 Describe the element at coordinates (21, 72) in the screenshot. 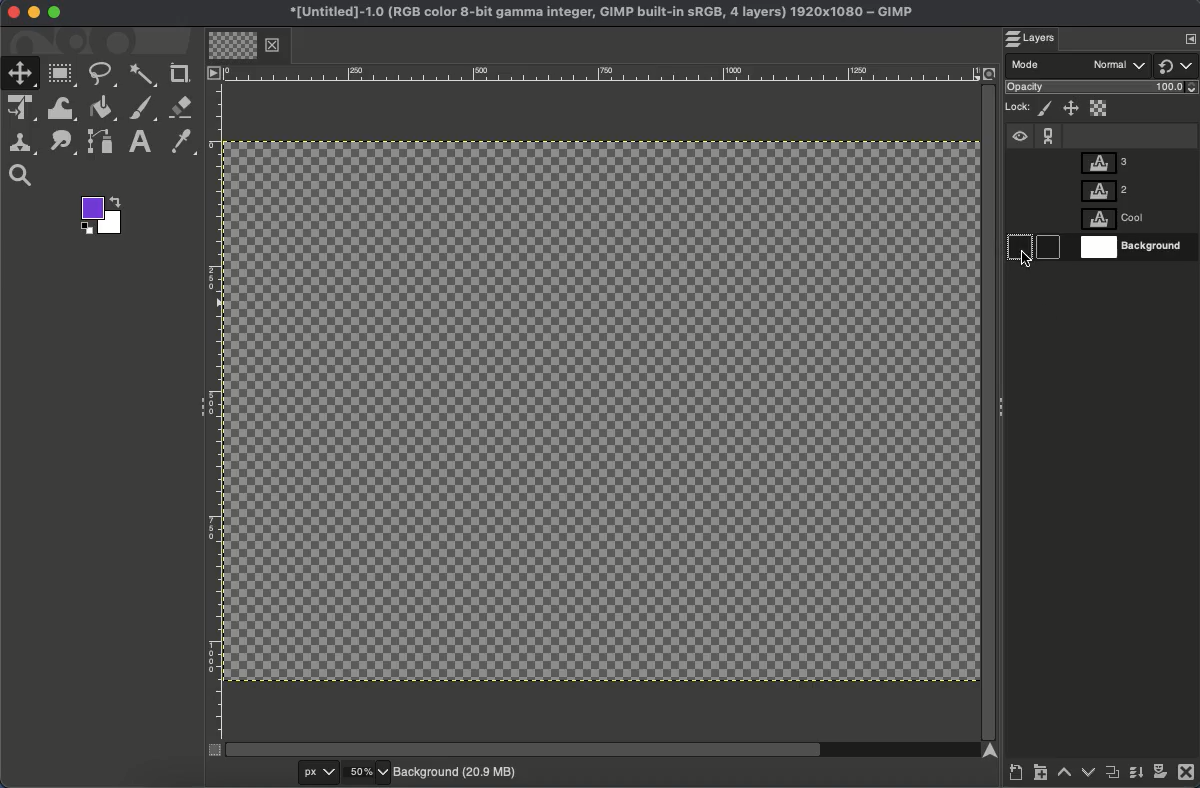

I see `Move tool` at that location.